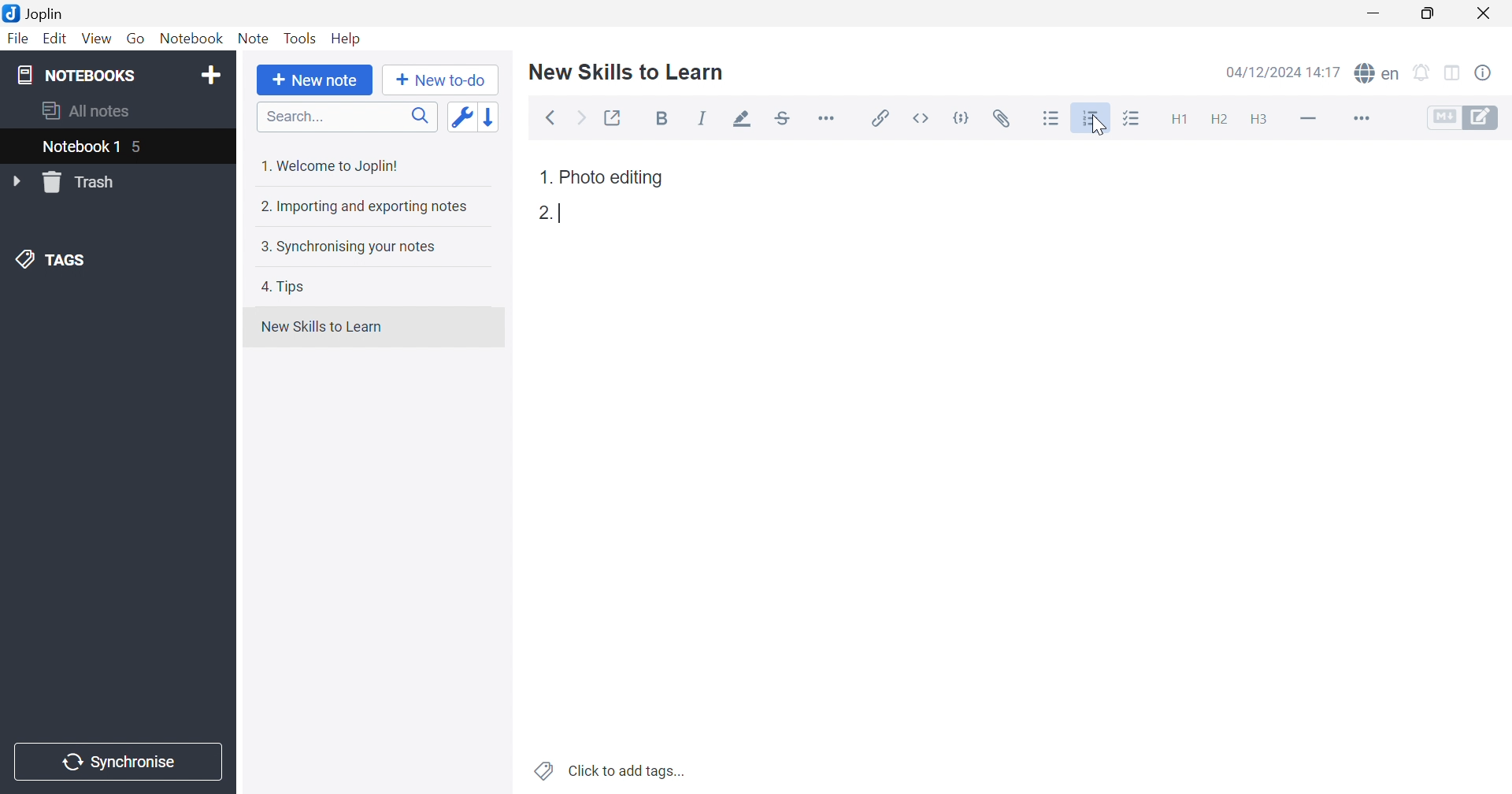 This screenshot has height=794, width=1512. What do you see at coordinates (738, 121) in the screenshot?
I see `Highlight` at bounding box center [738, 121].